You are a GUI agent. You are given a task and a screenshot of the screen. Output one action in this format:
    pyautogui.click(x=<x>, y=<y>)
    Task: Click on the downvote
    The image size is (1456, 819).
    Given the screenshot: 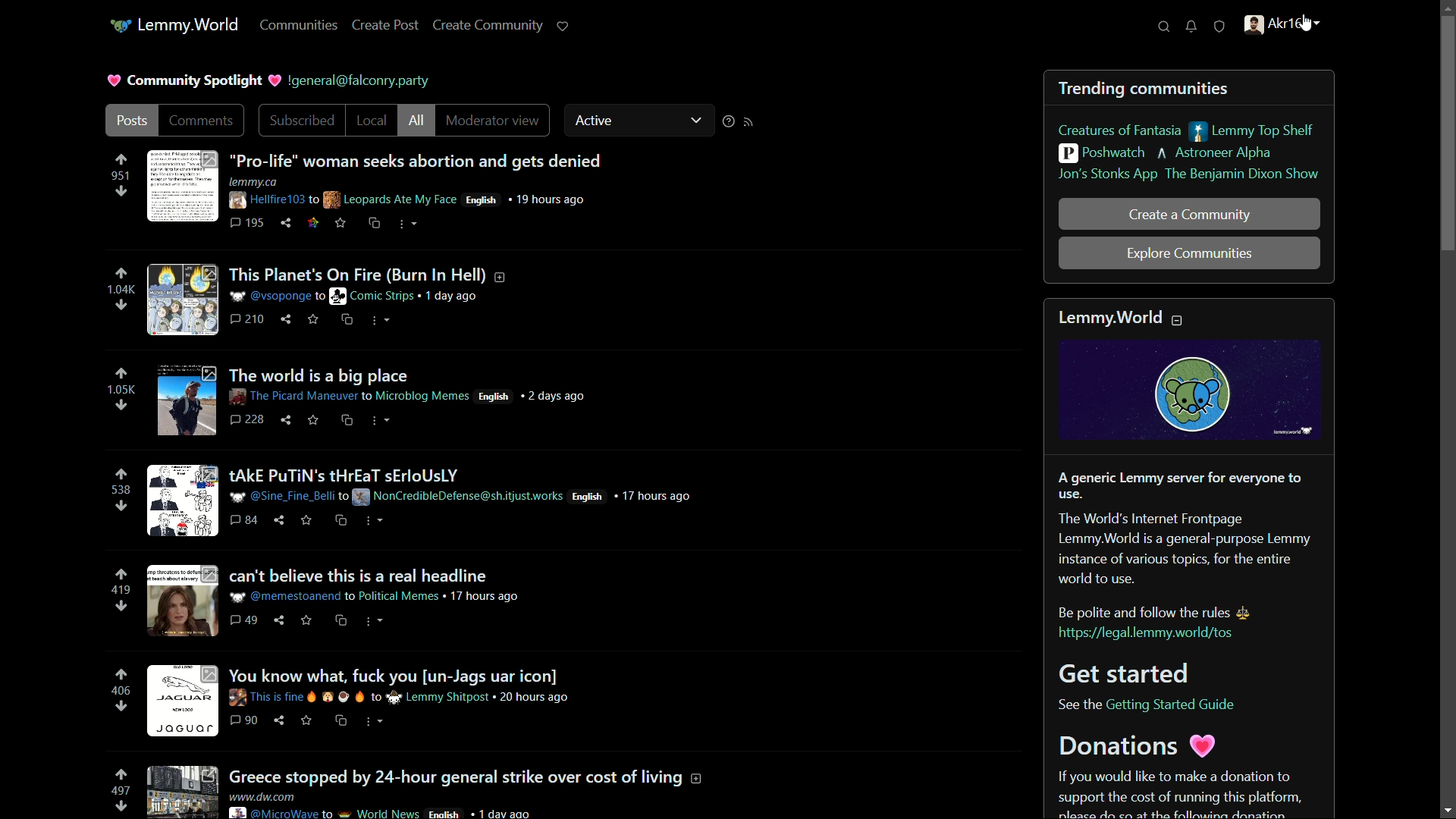 What is the action you would take?
    pyautogui.click(x=121, y=606)
    